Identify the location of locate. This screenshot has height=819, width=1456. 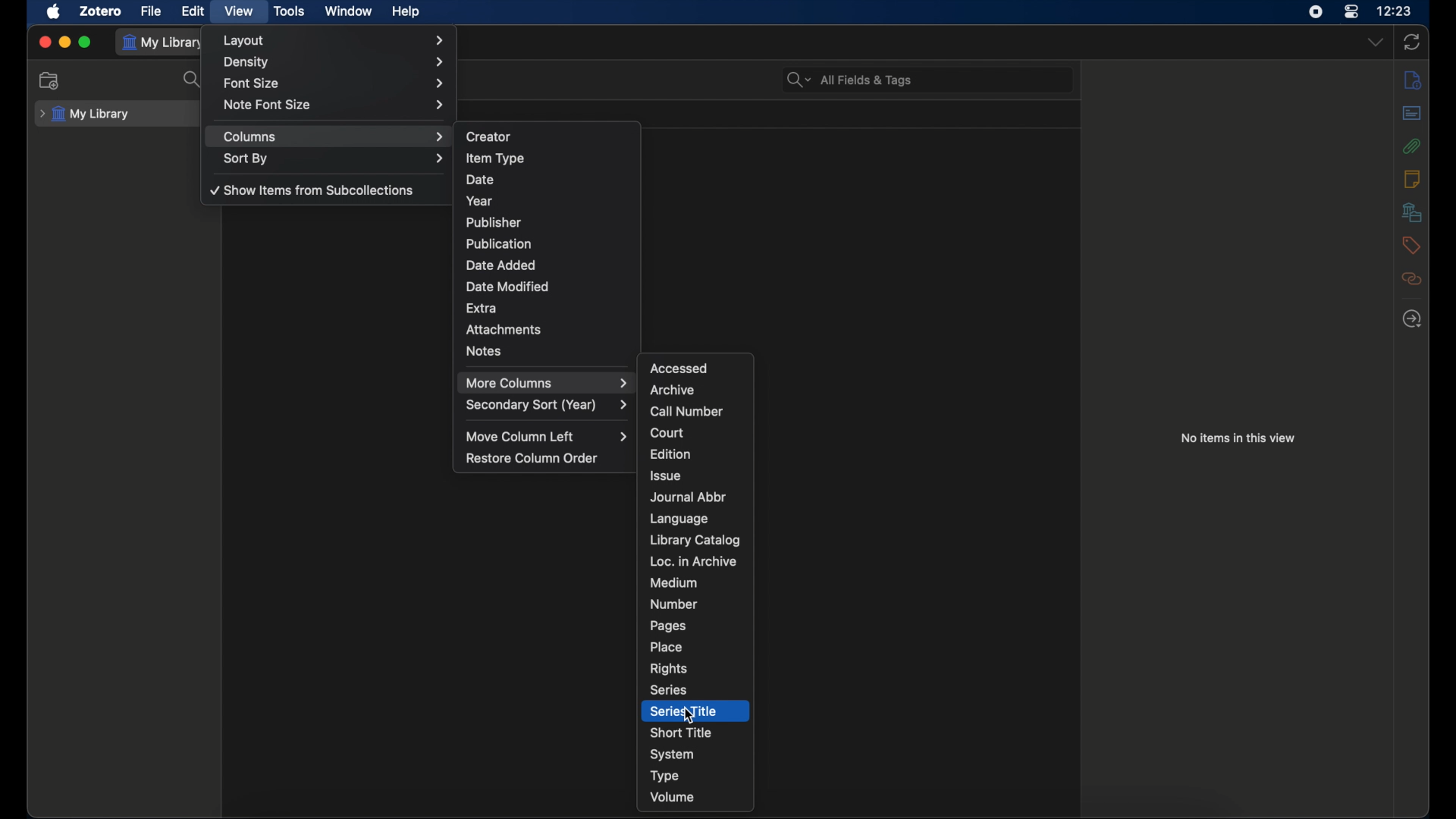
(1412, 319).